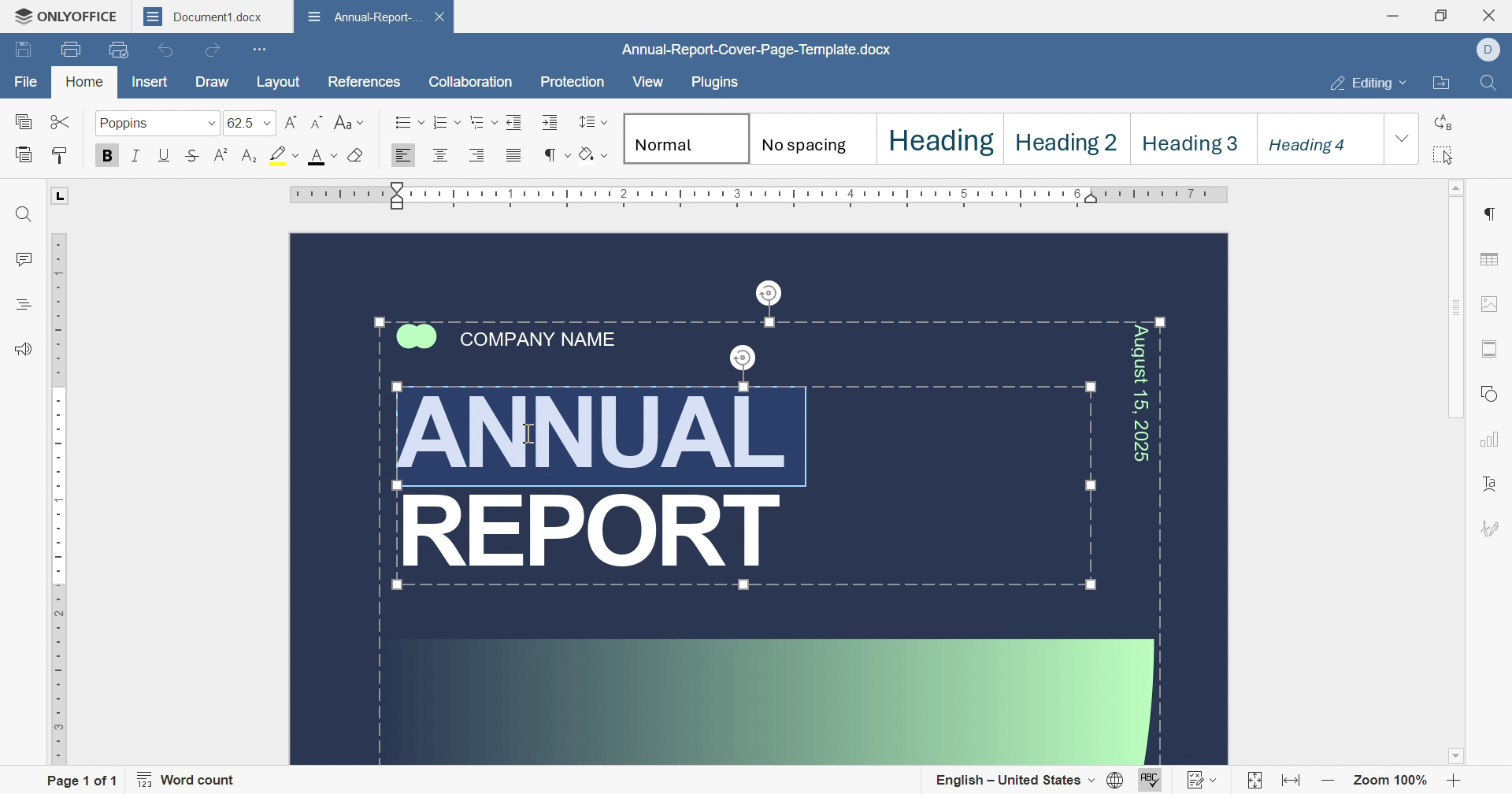 This screenshot has width=1512, height=794. What do you see at coordinates (1488, 347) in the screenshot?
I see `header and footer settings` at bounding box center [1488, 347].